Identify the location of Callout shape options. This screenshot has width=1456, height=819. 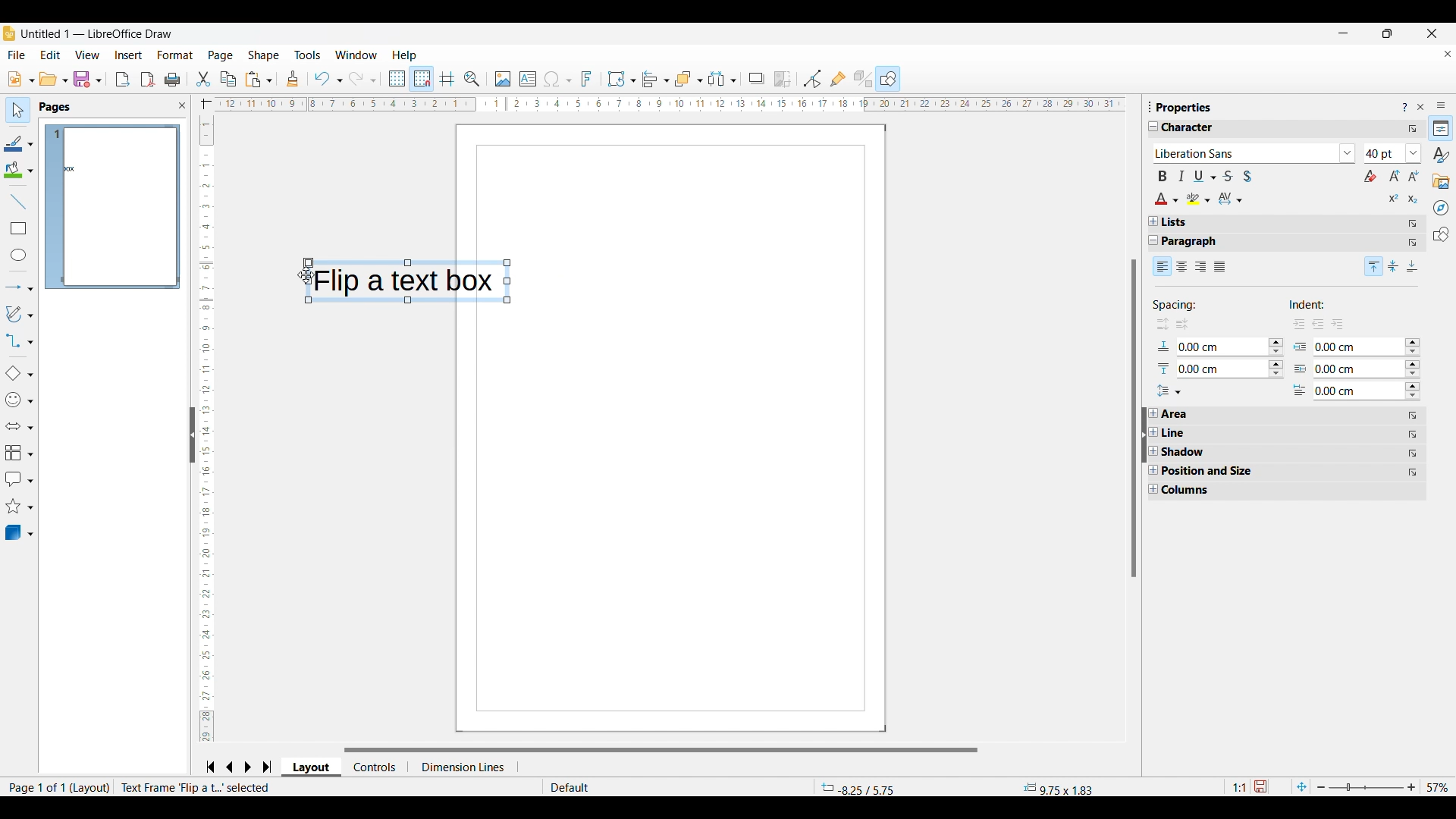
(19, 479).